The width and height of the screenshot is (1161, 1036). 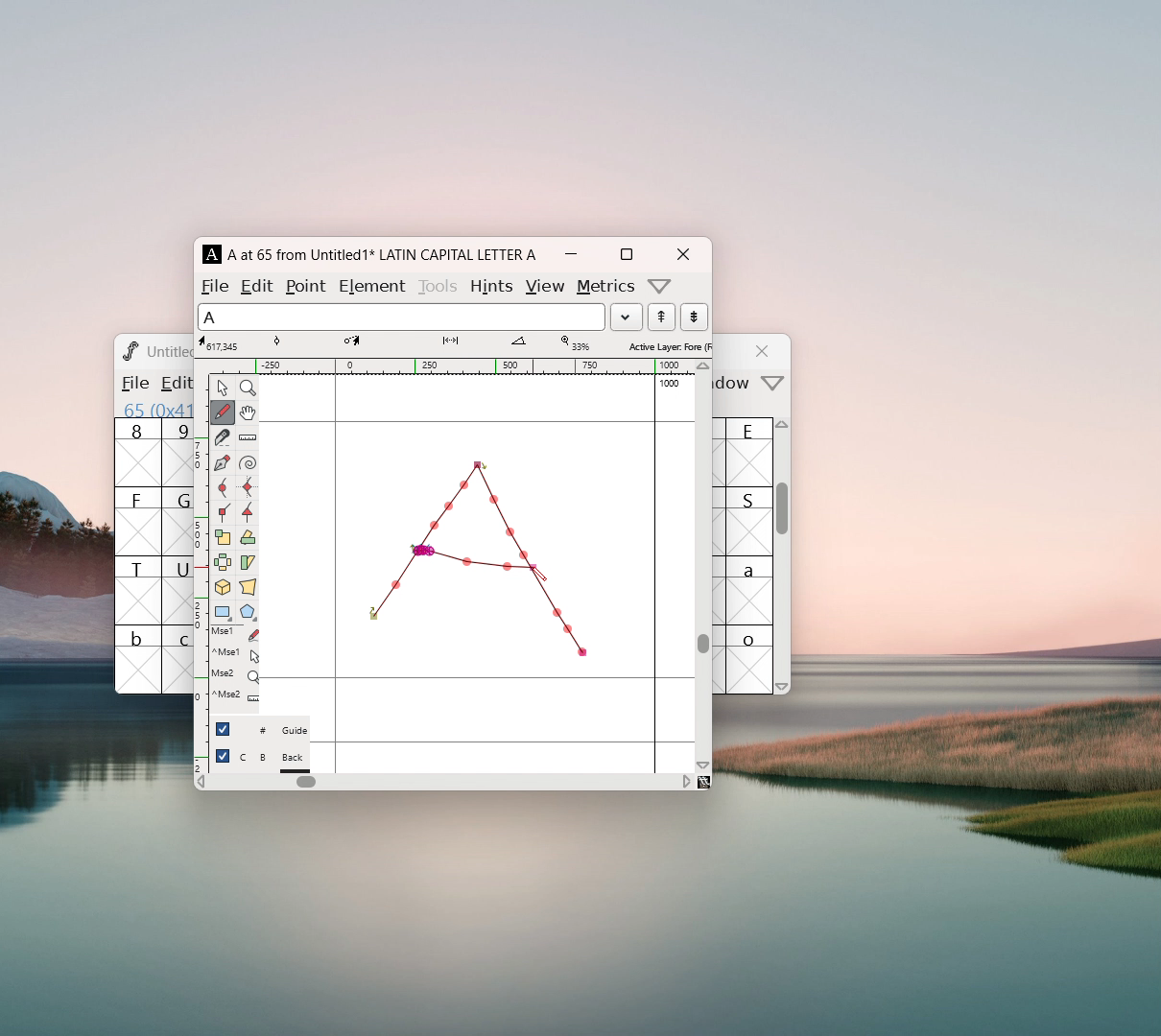 What do you see at coordinates (626, 317) in the screenshot?
I see `load word list` at bounding box center [626, 317].